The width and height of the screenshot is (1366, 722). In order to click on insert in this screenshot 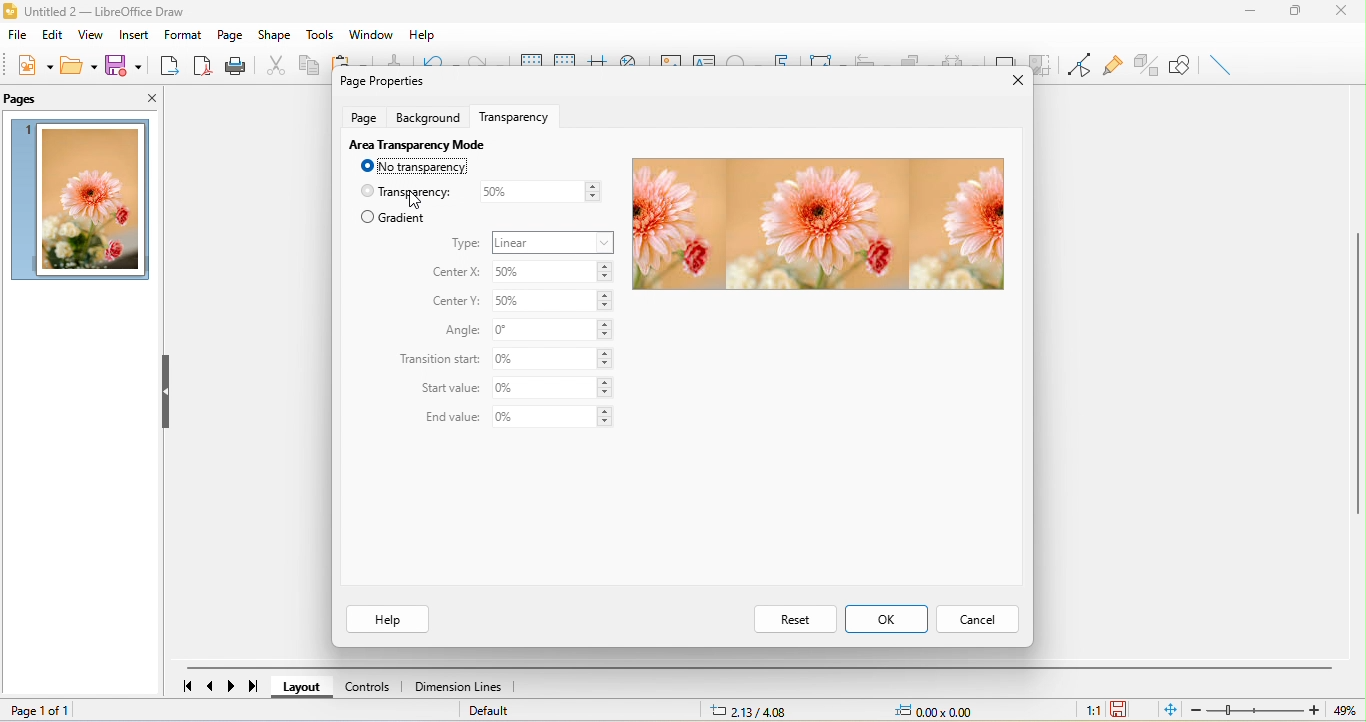, I will do `click(138, 33)`.